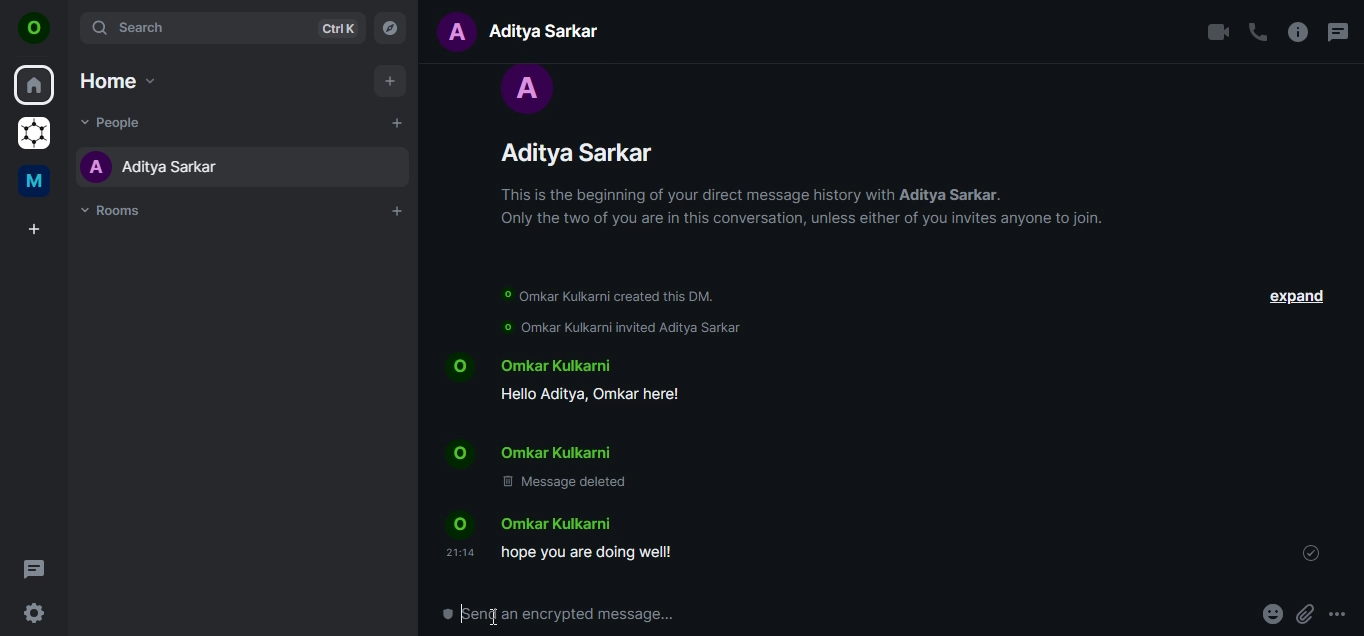 Image resolution: width=1364 pixels, height=636 pixels. What do you see at coordinates (34, 613) in the screenshot?
I see `quick settings` at bounding box center [34, 613].